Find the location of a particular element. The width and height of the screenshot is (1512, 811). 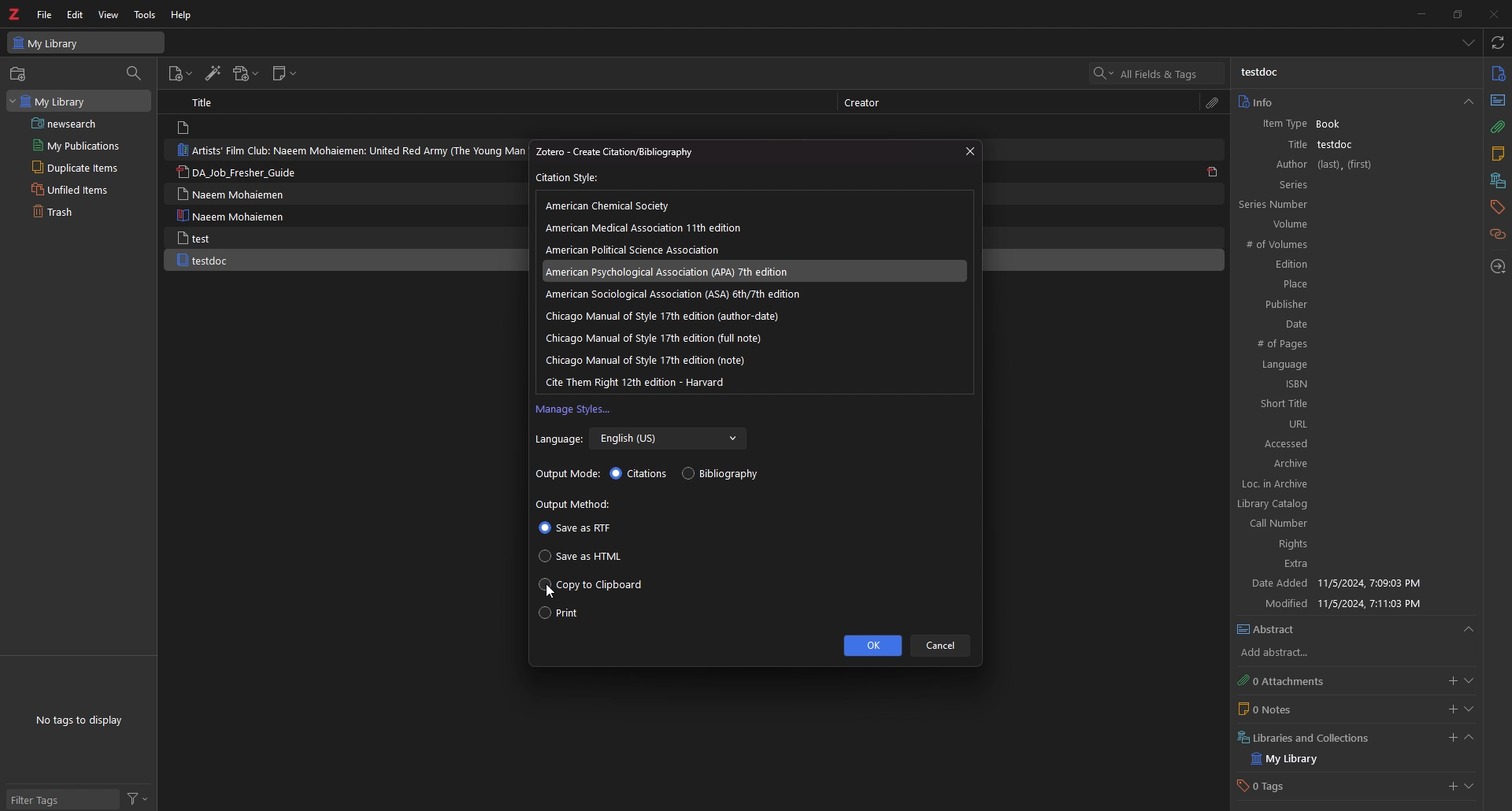

copy to clipboard is located at coordinates (591, 585).